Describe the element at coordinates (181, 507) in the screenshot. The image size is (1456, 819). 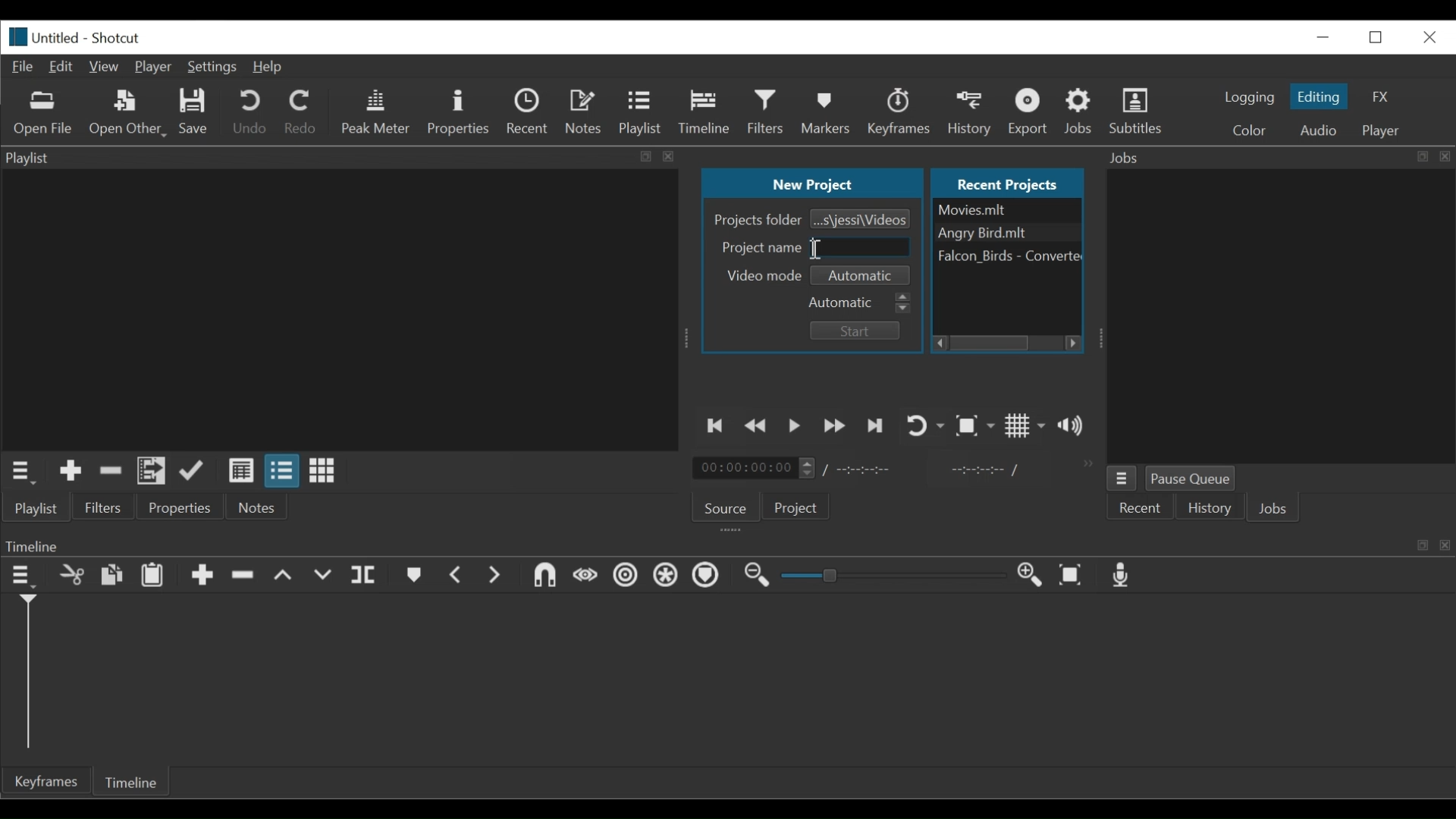
I see `Properties` at that location.